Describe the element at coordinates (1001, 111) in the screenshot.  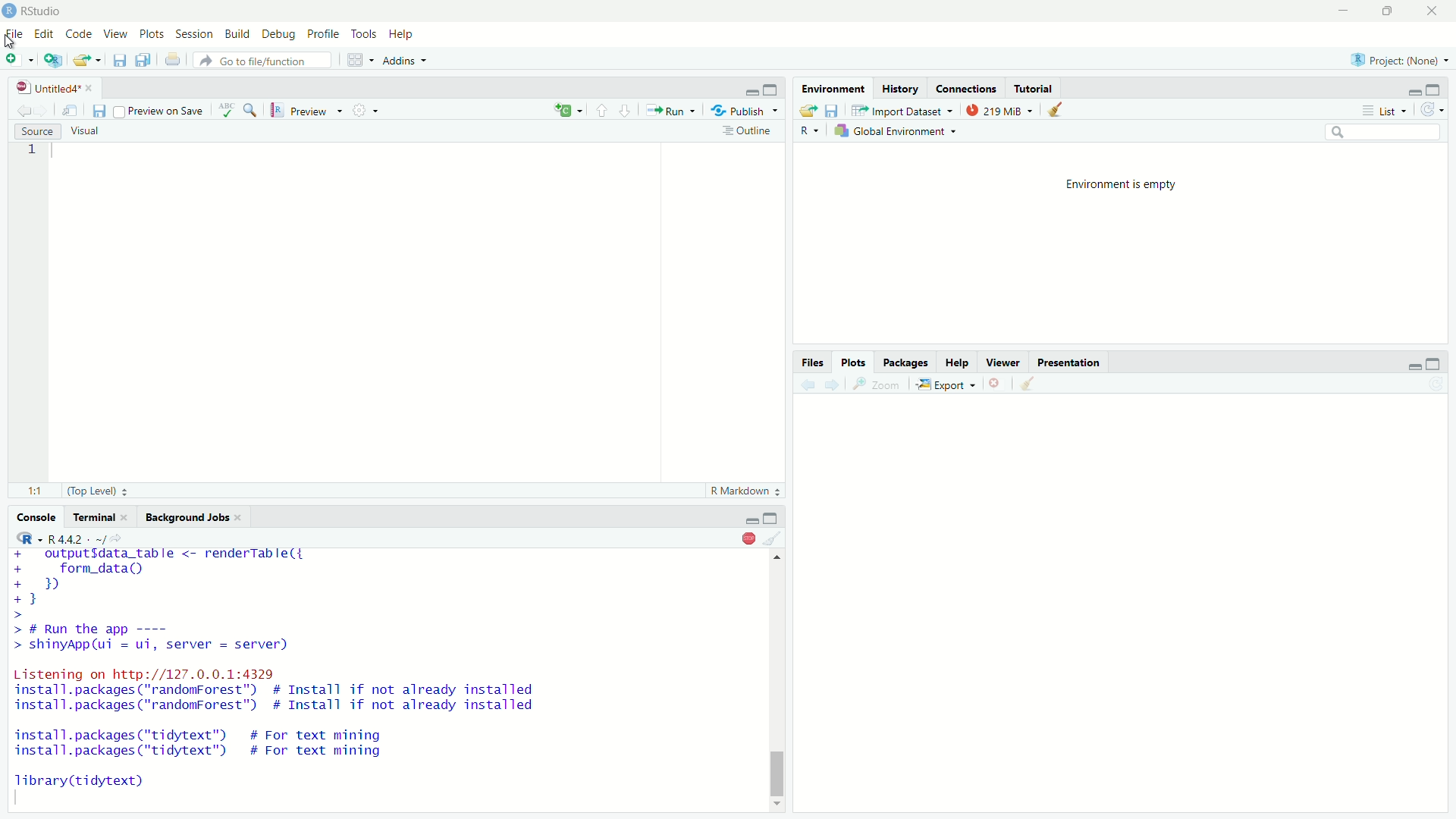
I see `current memory usage - 219MiB` at that location.